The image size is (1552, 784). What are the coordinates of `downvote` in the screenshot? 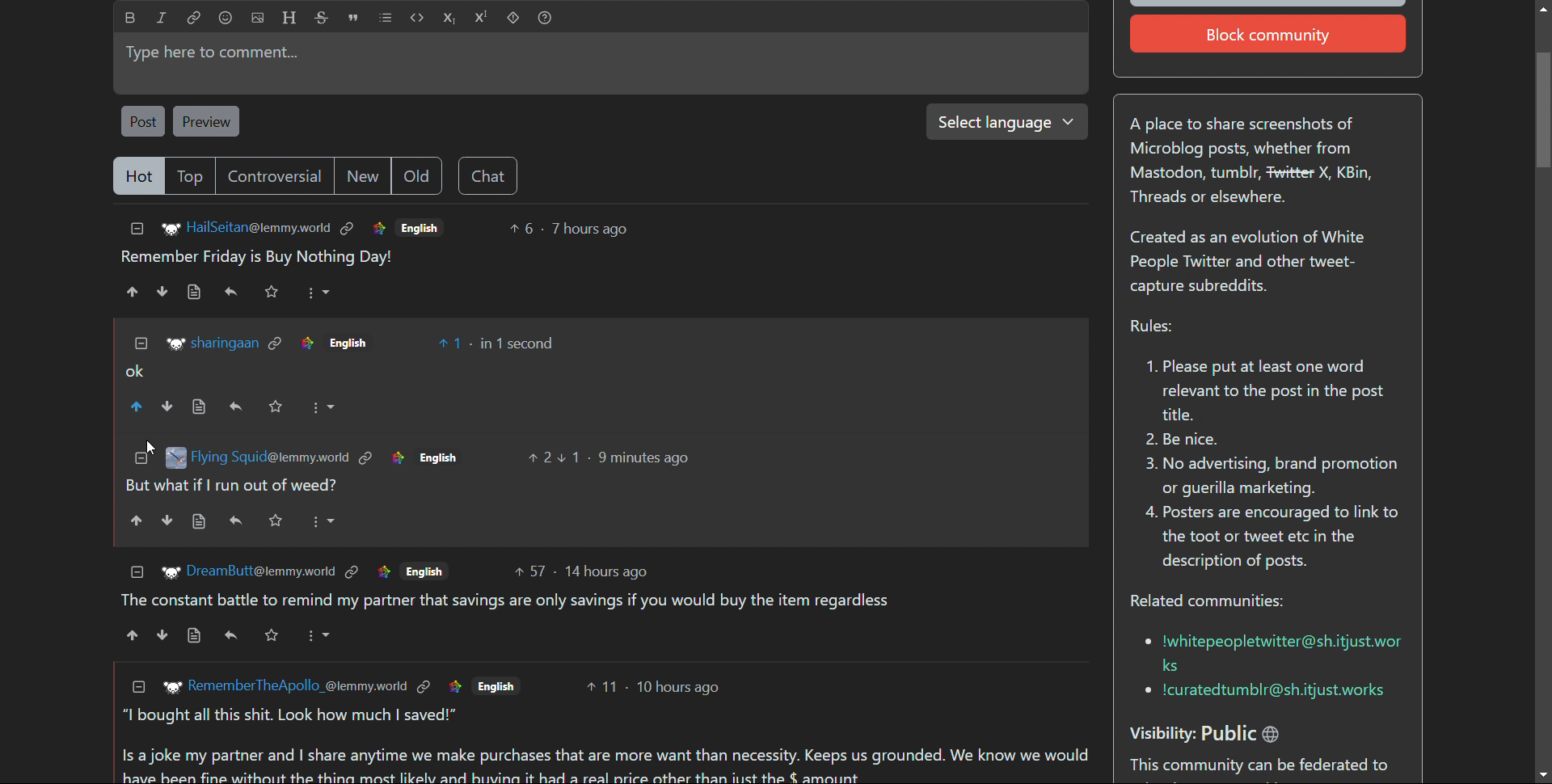 It's located at (170, 521).